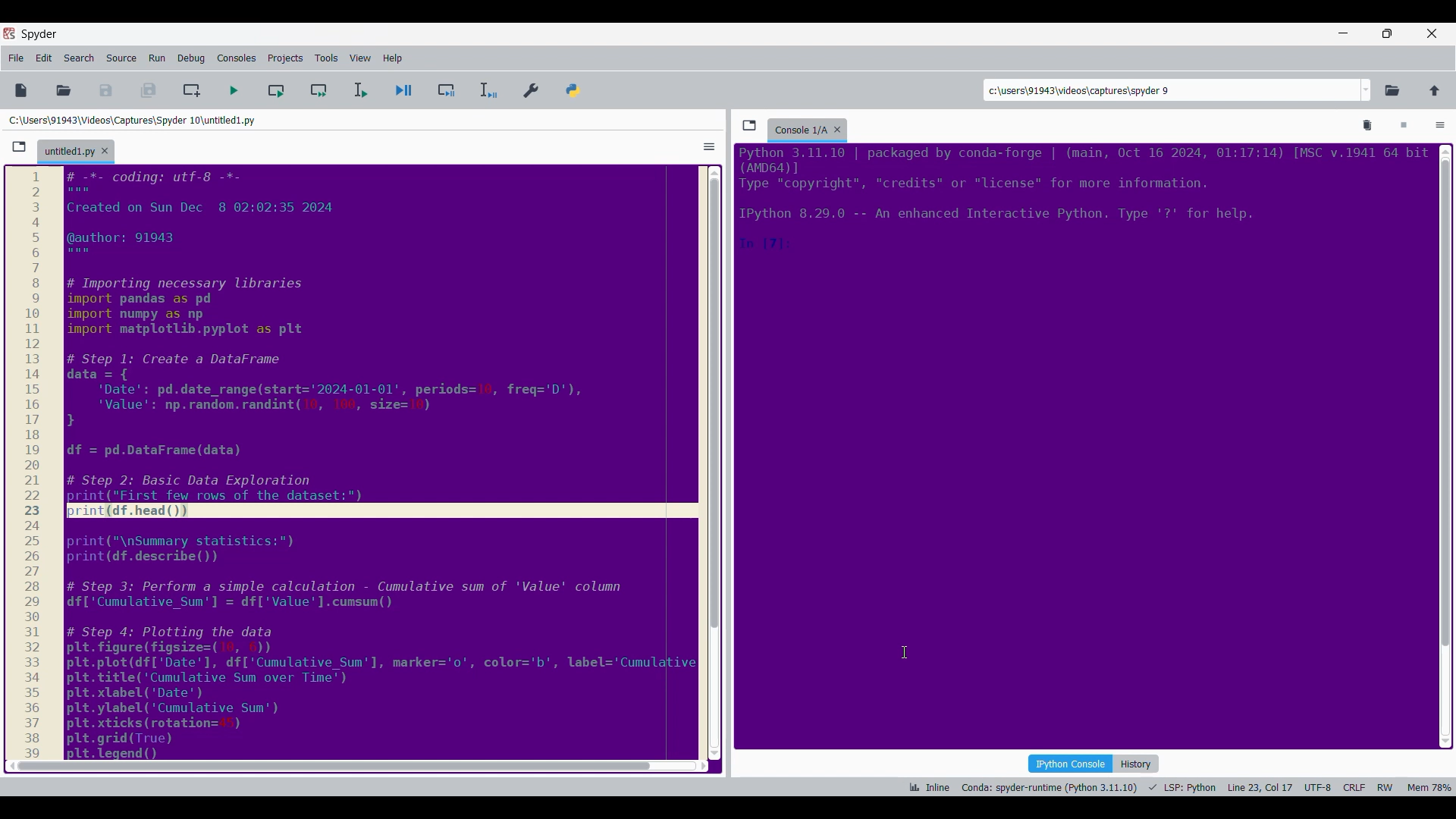 This screenshot has width=1456, height=819. What do you see at coordinates (360, 58) in the screenshot?
I see `View menu` at bounding box center [360, 58].